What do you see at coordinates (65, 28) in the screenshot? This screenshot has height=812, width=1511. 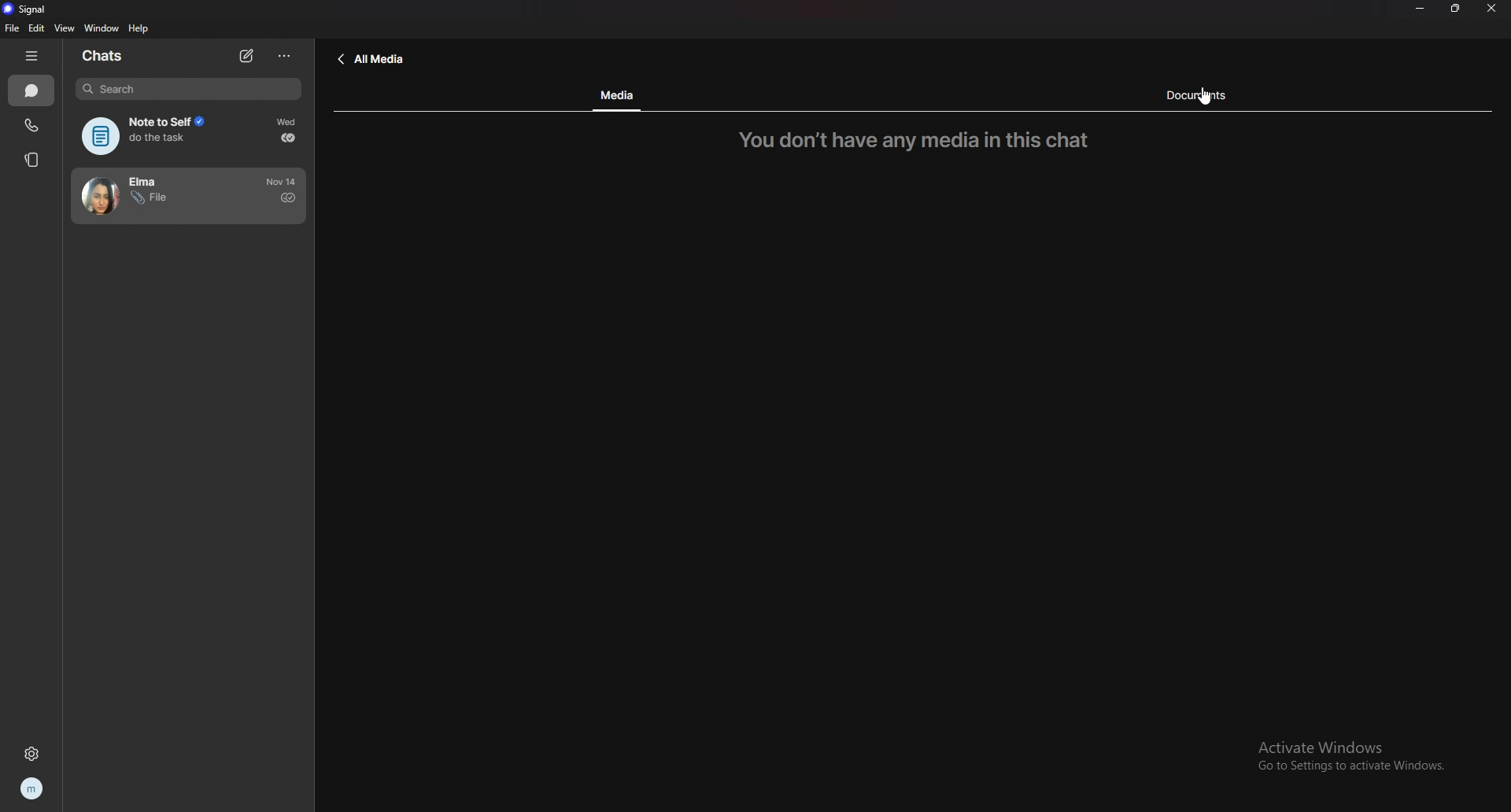 I see `view` at bounding box center [65, 28].